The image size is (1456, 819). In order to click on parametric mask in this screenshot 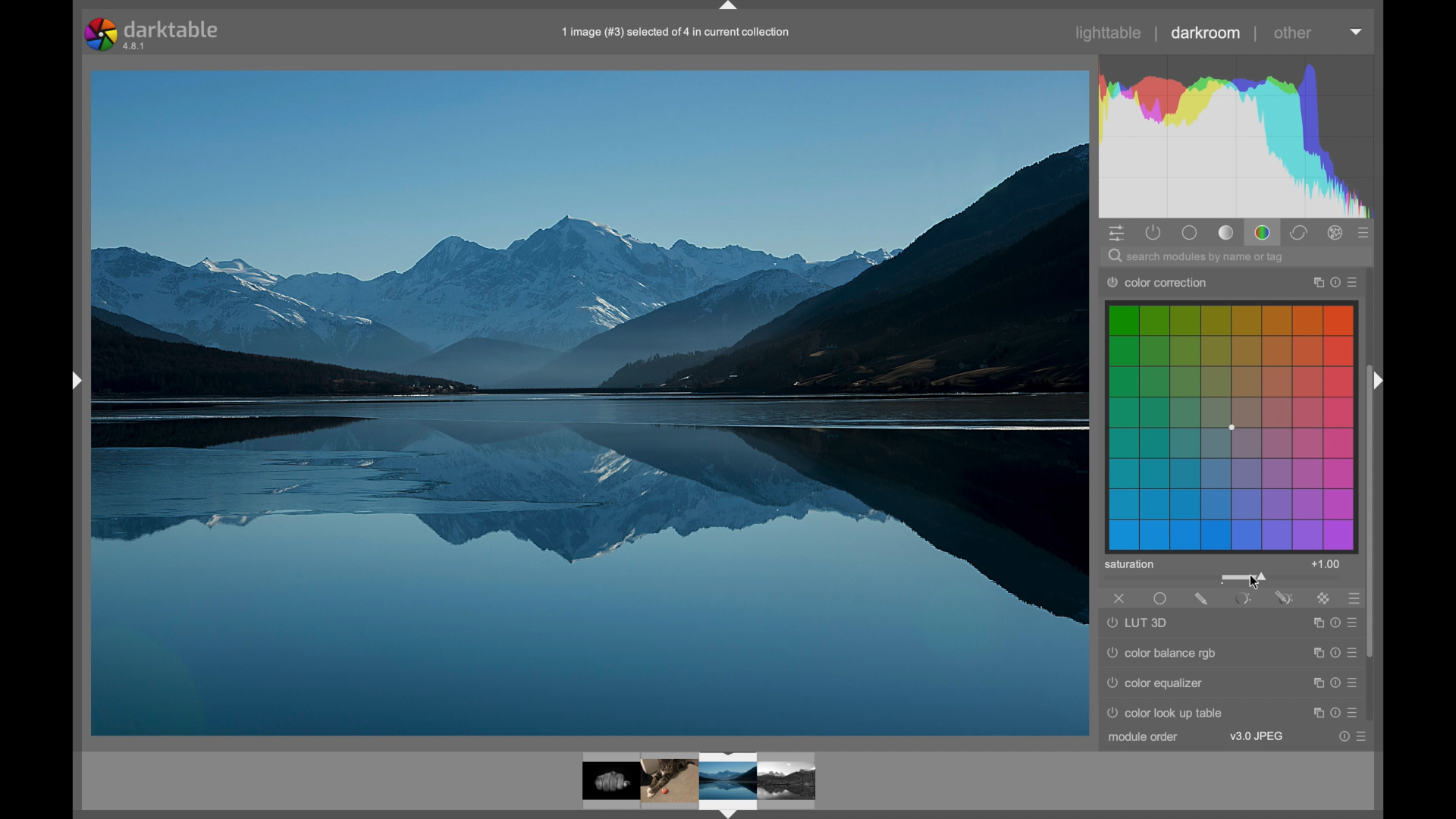, I will do `click(1243, 599)`.